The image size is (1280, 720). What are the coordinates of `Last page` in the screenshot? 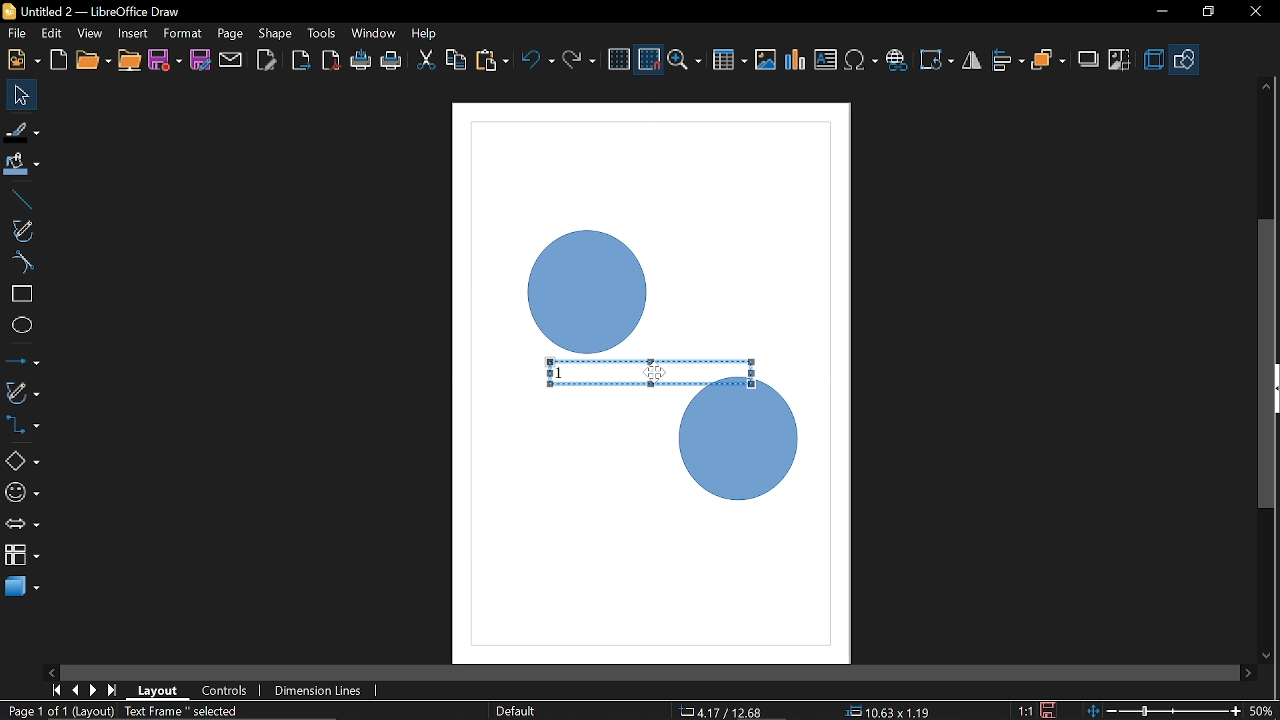 It's located at (114, 692).